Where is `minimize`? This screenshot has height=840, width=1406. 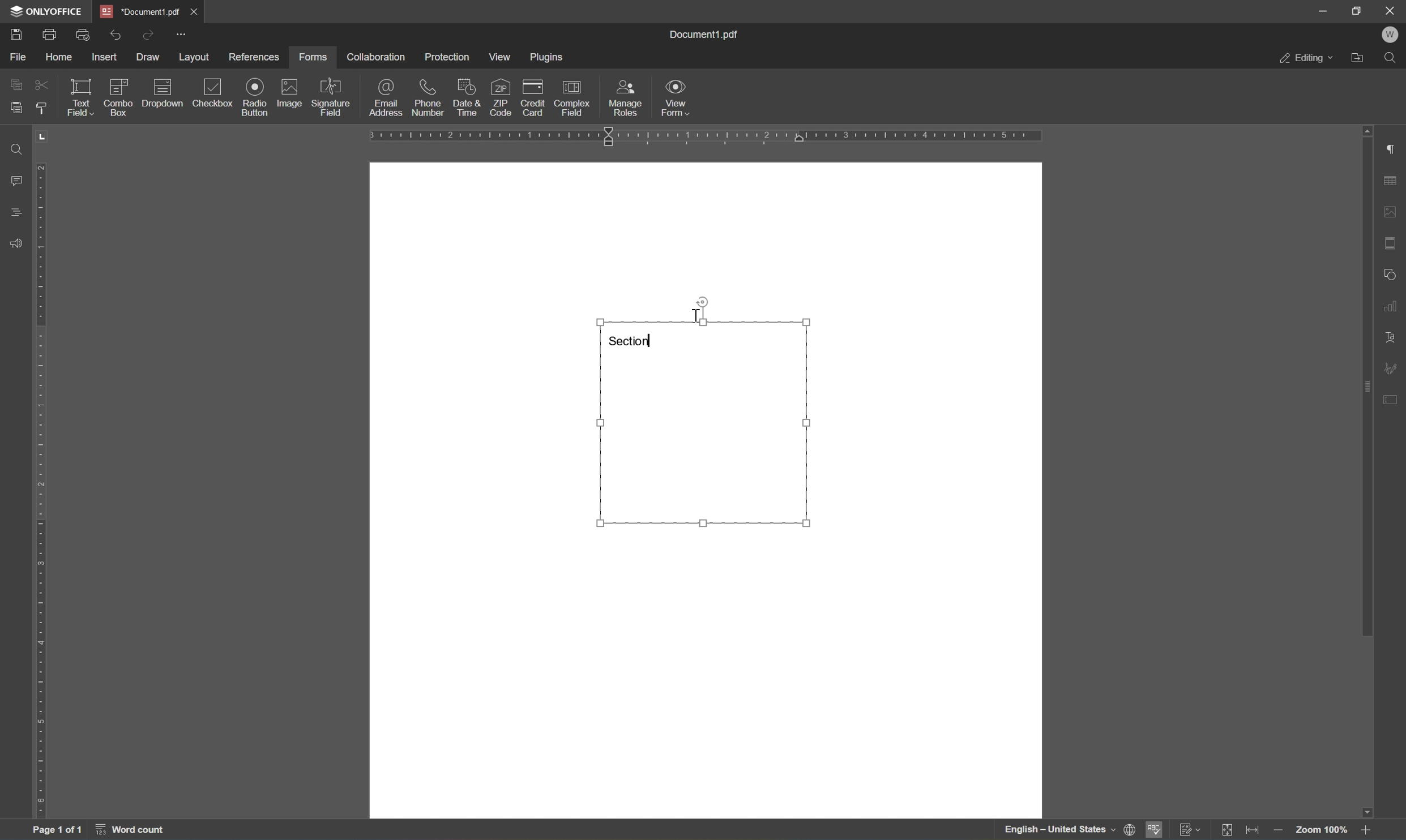
minimize is located at coordinates (1323, 10).